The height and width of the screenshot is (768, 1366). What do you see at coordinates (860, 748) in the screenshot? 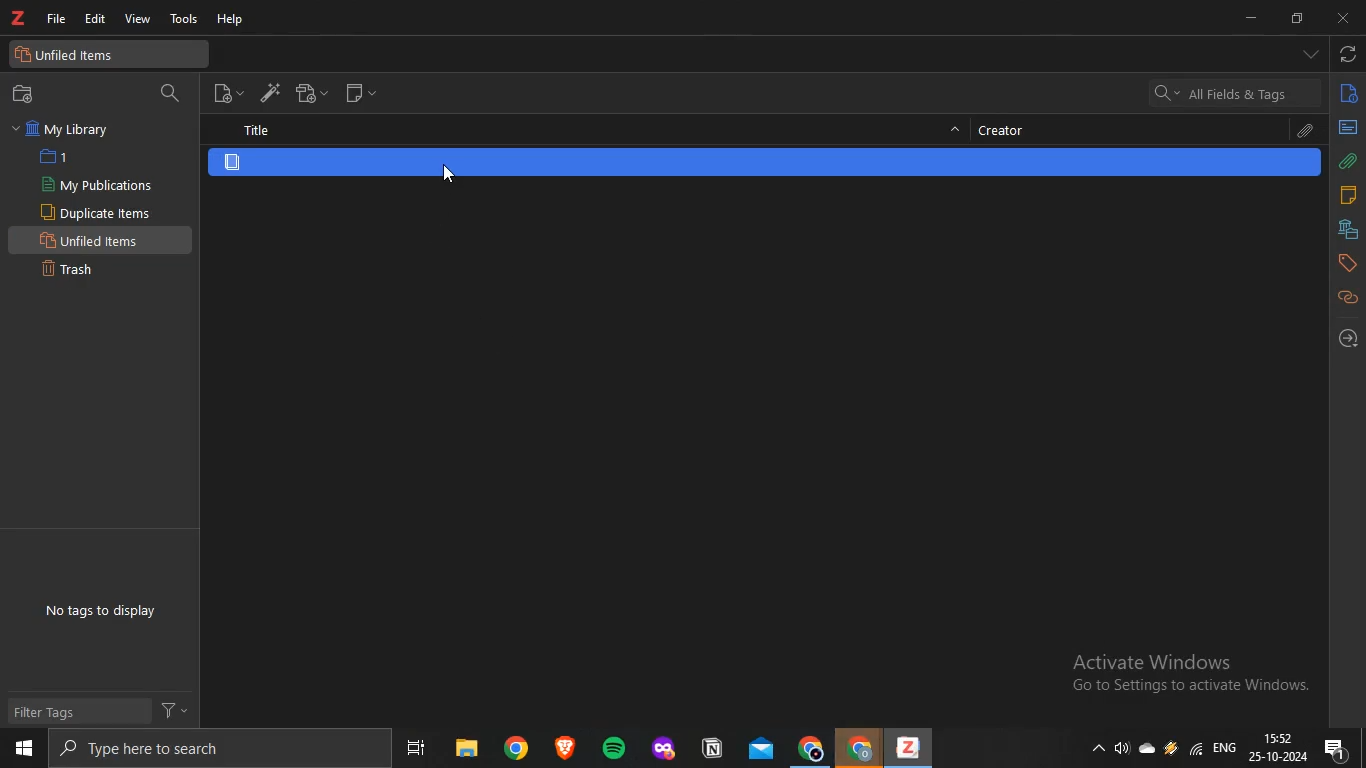
I see `chrome` at bounding box center [860, 748].